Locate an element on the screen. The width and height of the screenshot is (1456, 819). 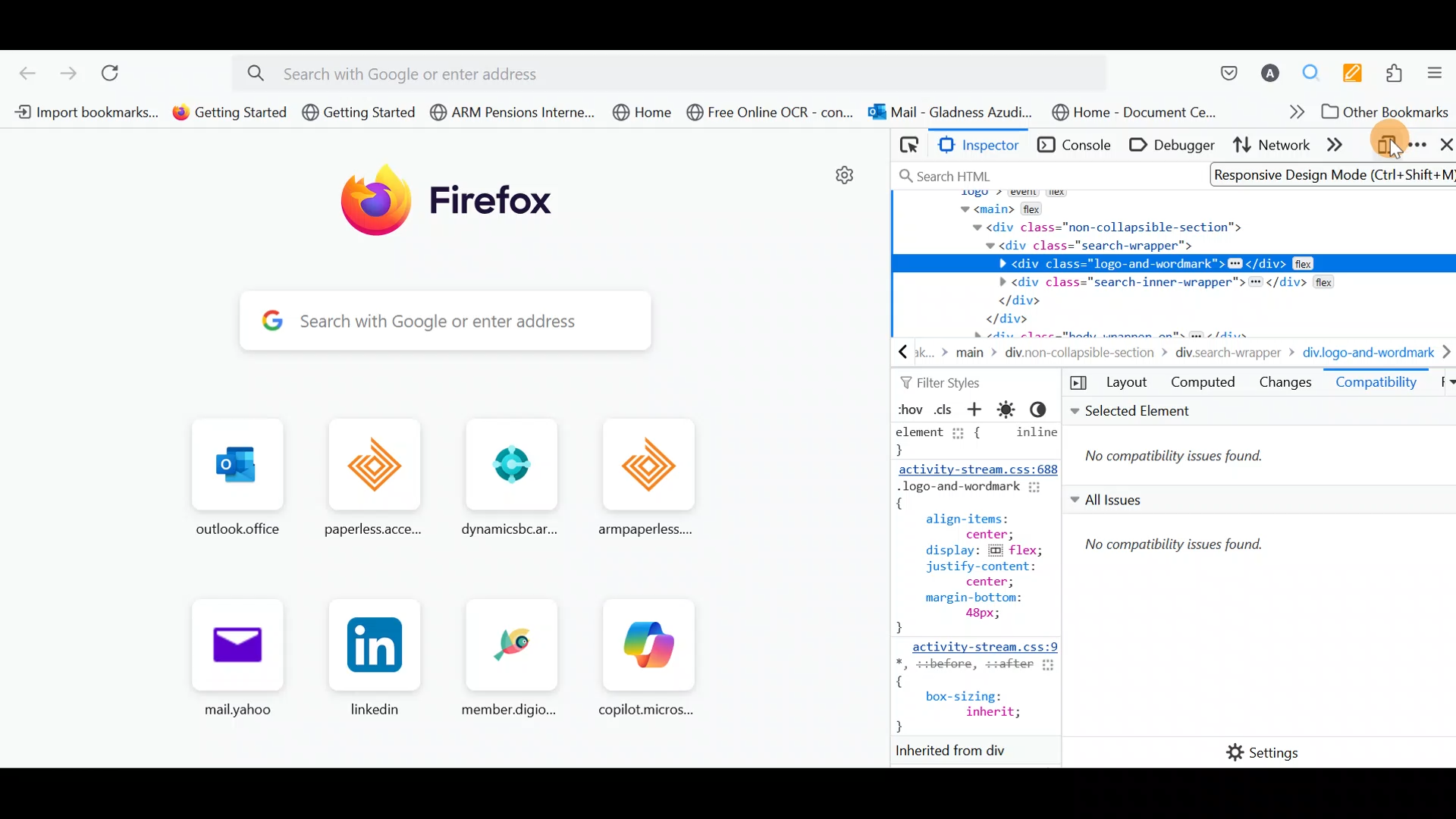
Computed is located at coordinates (1203, 385).